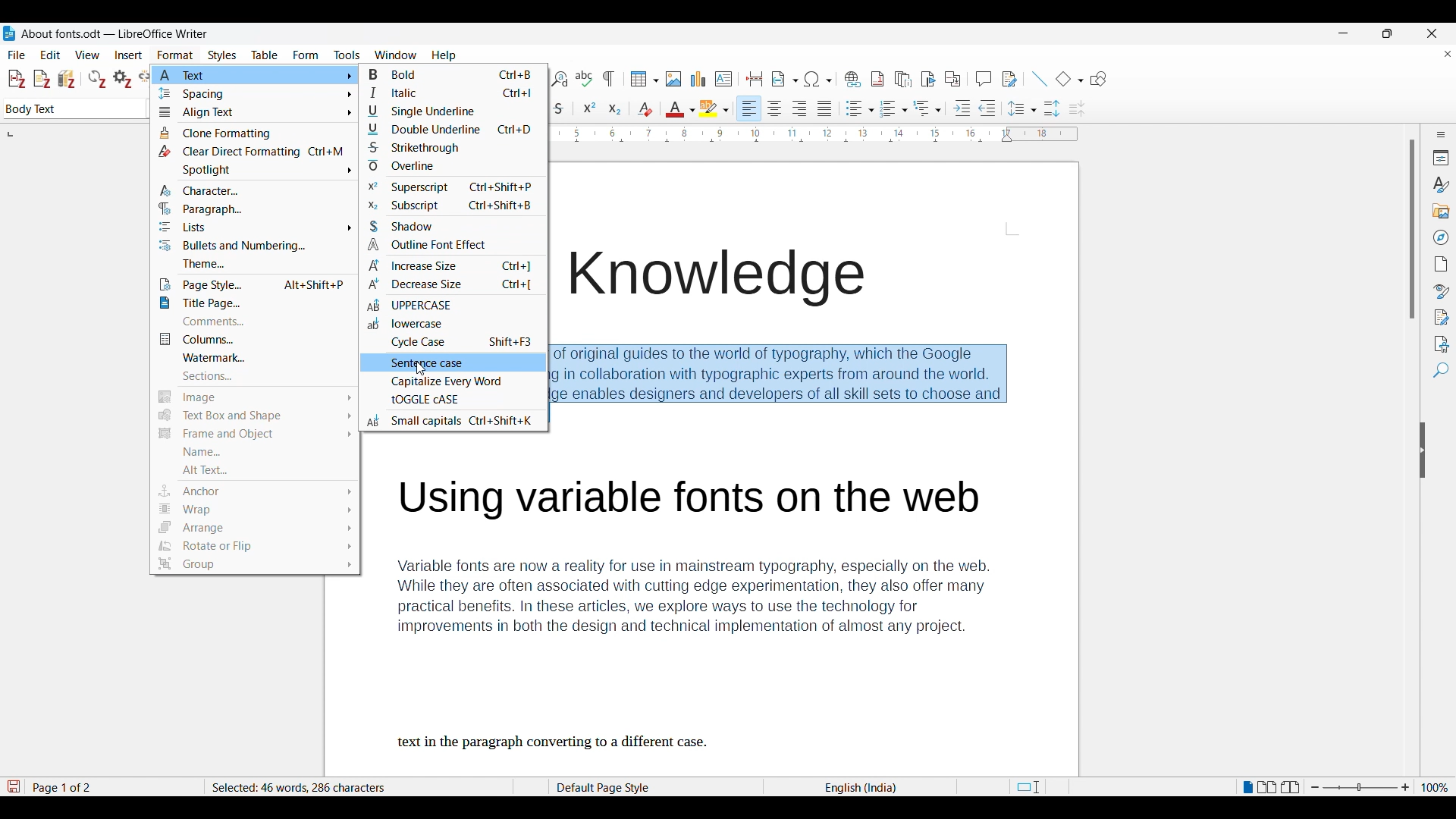 The width and height of the screenshot is (1456, 819). Describe the element at coordinates (186, 228) in the screenshot. I see `lists` at that location.